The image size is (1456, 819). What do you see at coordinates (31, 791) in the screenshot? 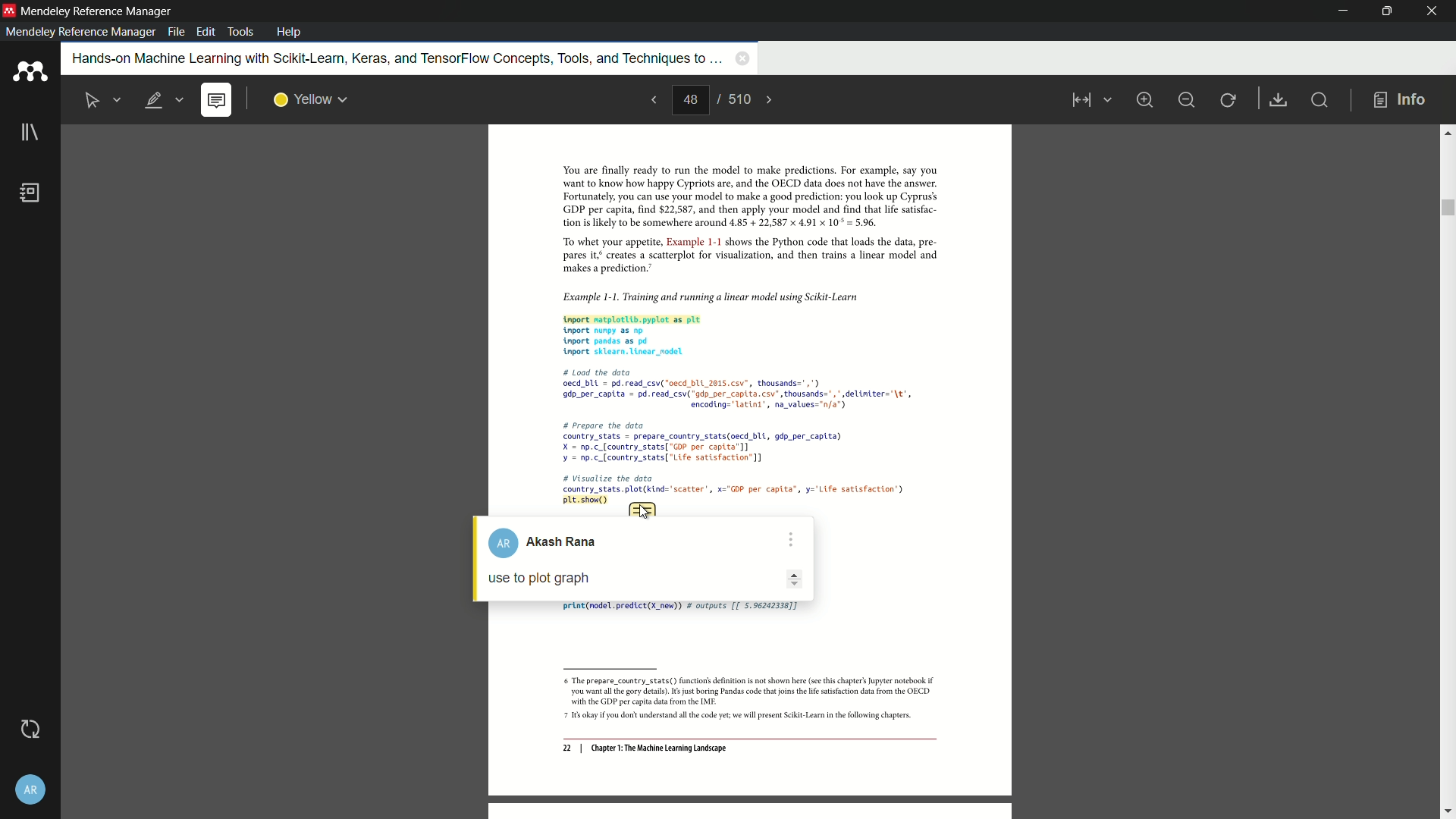
I see `account and settings` at bounding box center [31, 791].